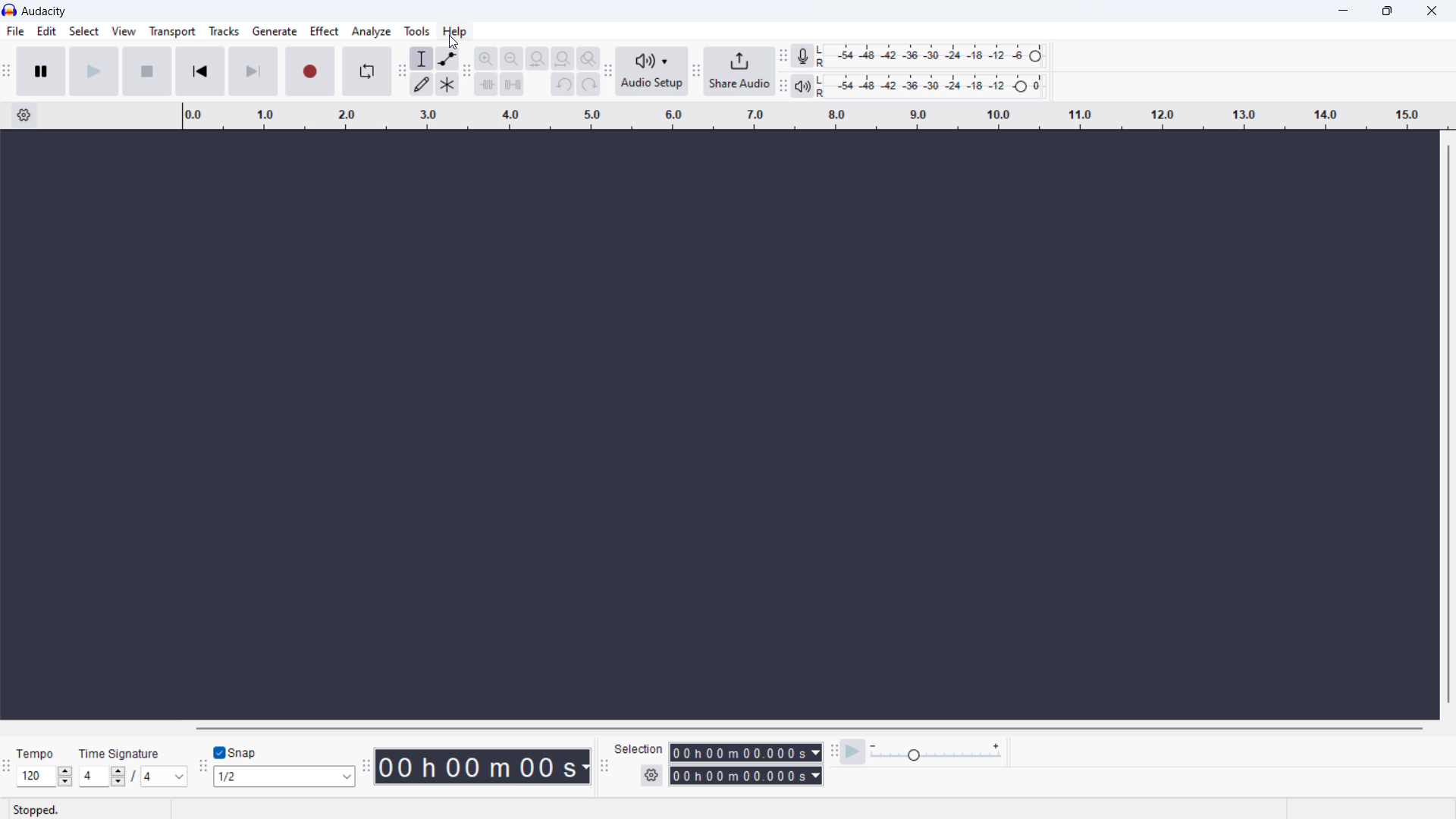  What do you see at coordinates (931, 86) in the screenshot?
I see `playback level` at bounding box center [931, 86].